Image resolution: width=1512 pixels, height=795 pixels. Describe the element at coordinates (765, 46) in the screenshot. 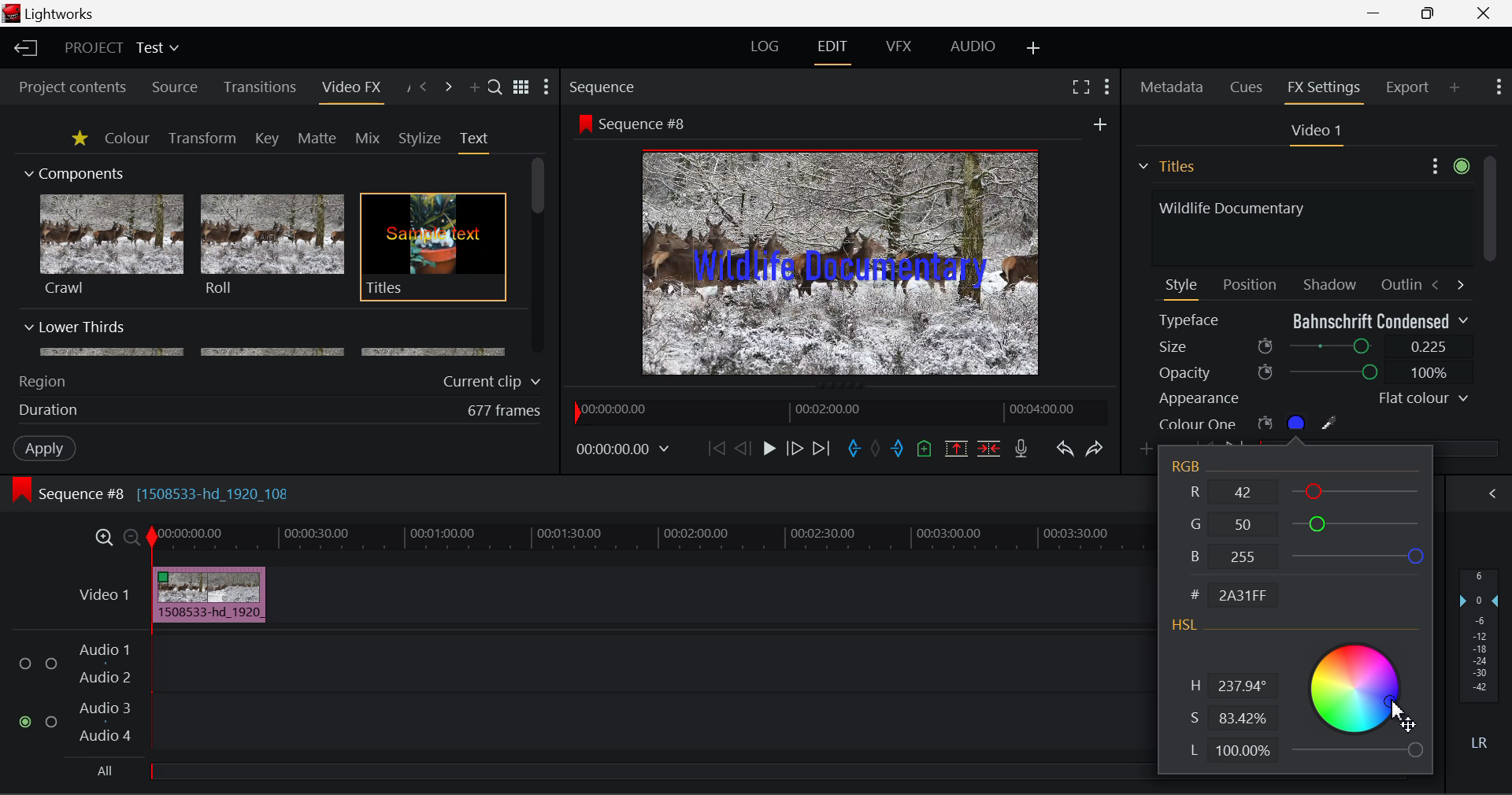

I see `LOG Layout` at that location.